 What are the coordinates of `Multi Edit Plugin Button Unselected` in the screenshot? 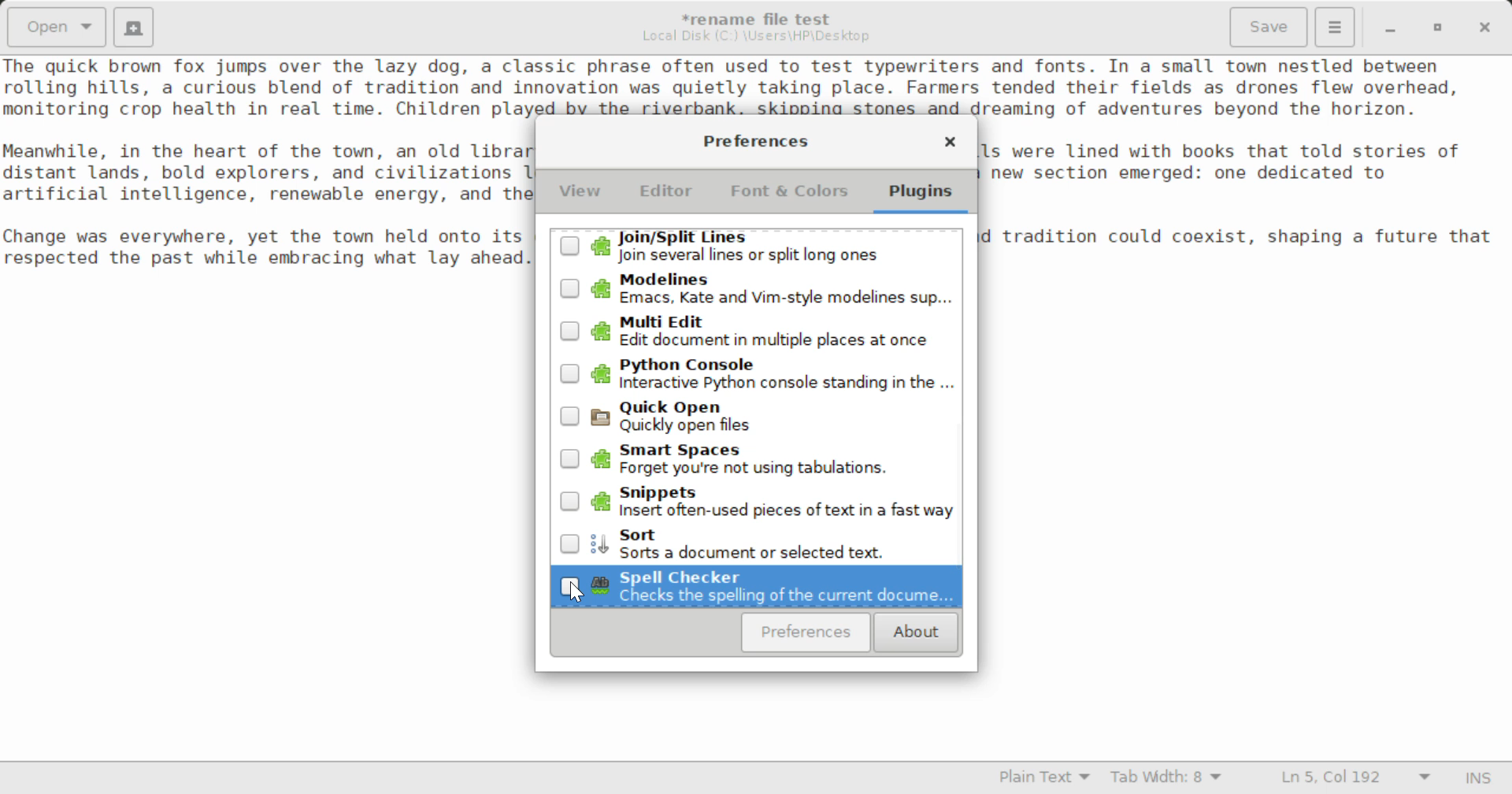 It's located at (755, 331).